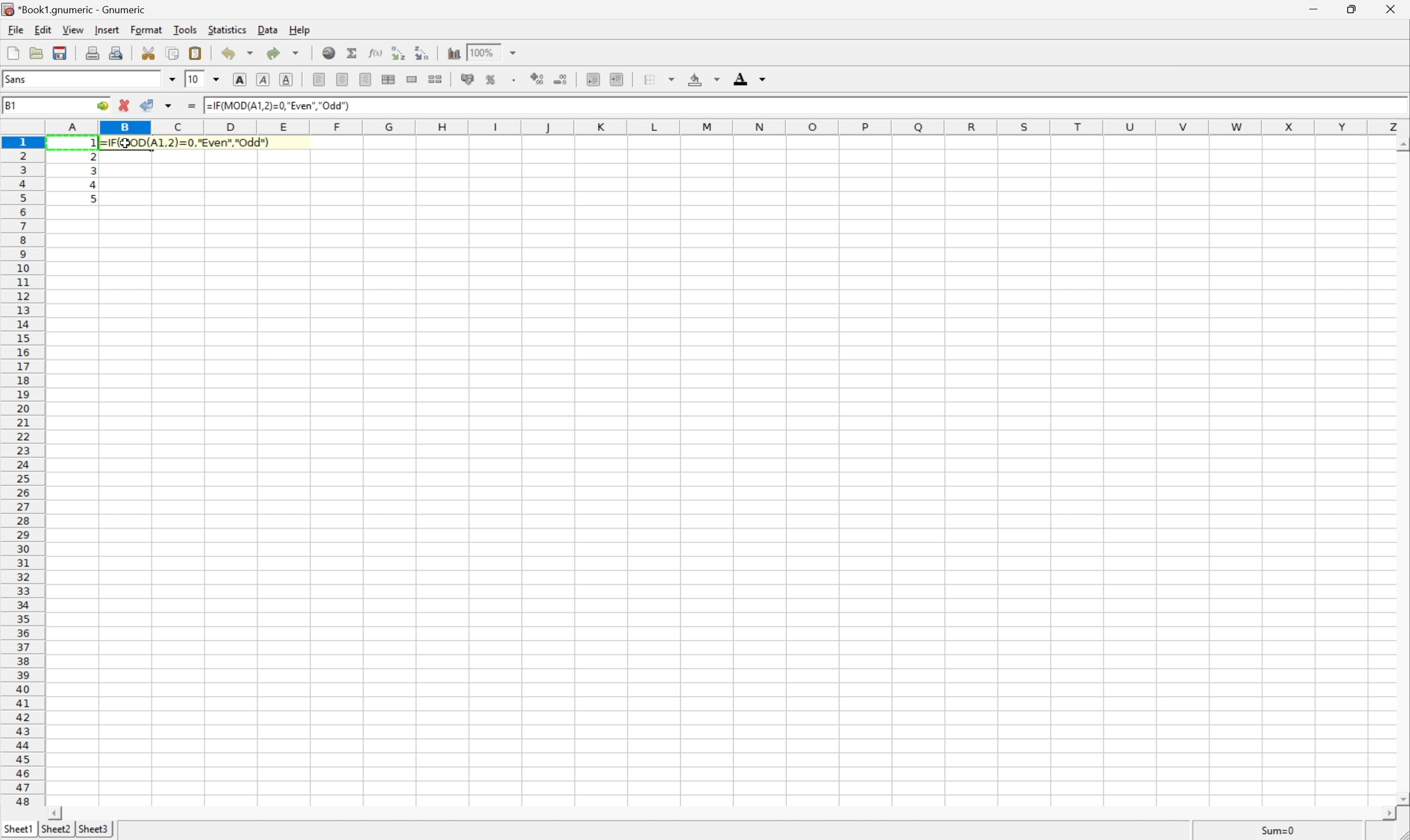 This screenshot has width=1410, height=840. I want to click on View, so click(73, 29).